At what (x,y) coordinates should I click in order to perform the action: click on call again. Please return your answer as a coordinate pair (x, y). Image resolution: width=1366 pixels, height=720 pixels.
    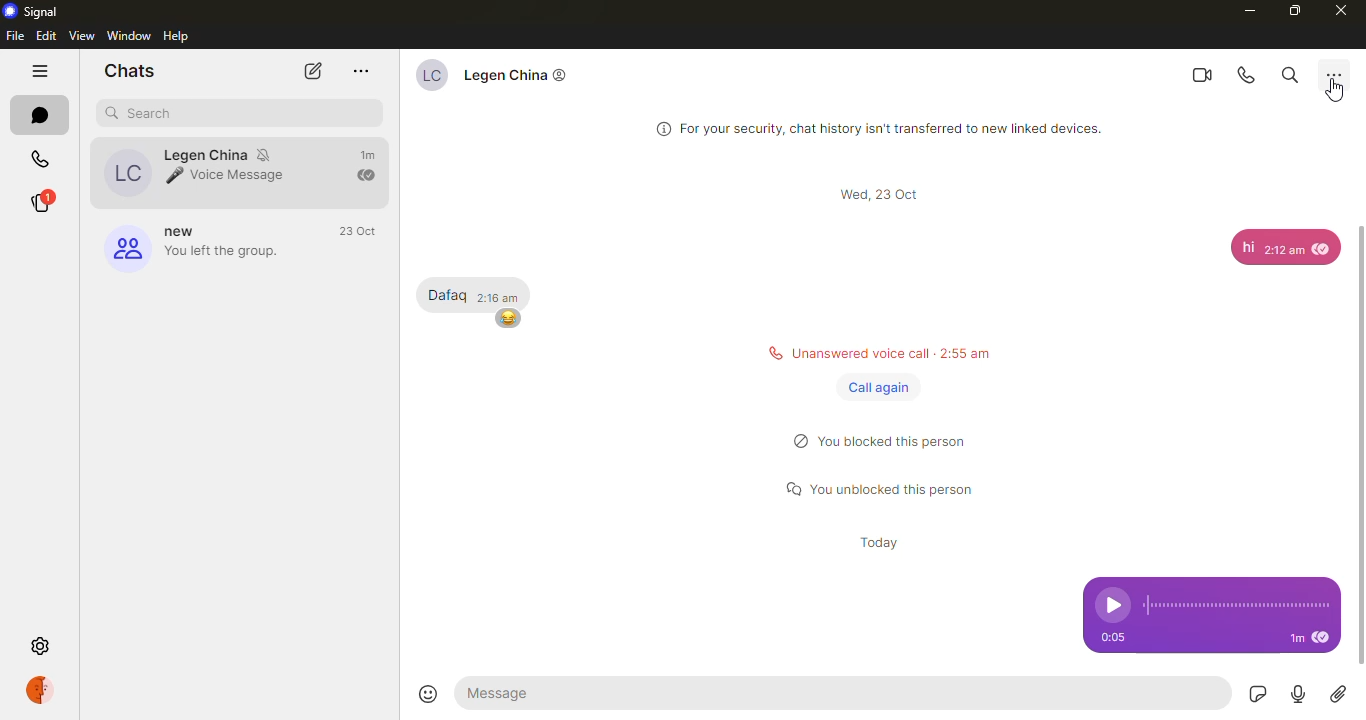
    Looking at the image, I should click on (877, 386).